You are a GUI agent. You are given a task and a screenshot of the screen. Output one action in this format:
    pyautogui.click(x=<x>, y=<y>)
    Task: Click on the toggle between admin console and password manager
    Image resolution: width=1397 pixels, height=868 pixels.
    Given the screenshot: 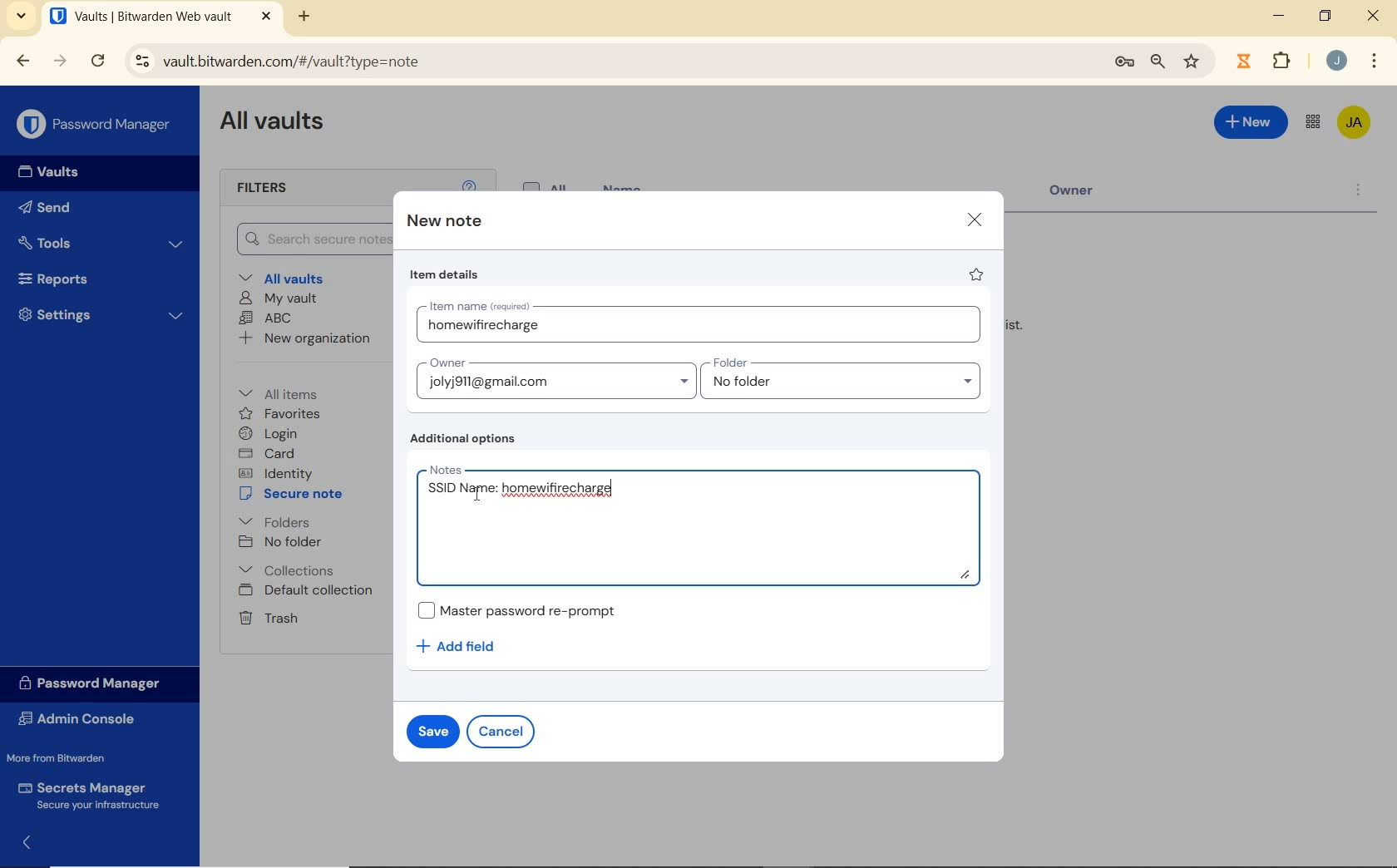 What is the action you would take?
    pyautogui.click(x=1313, y=123)
    